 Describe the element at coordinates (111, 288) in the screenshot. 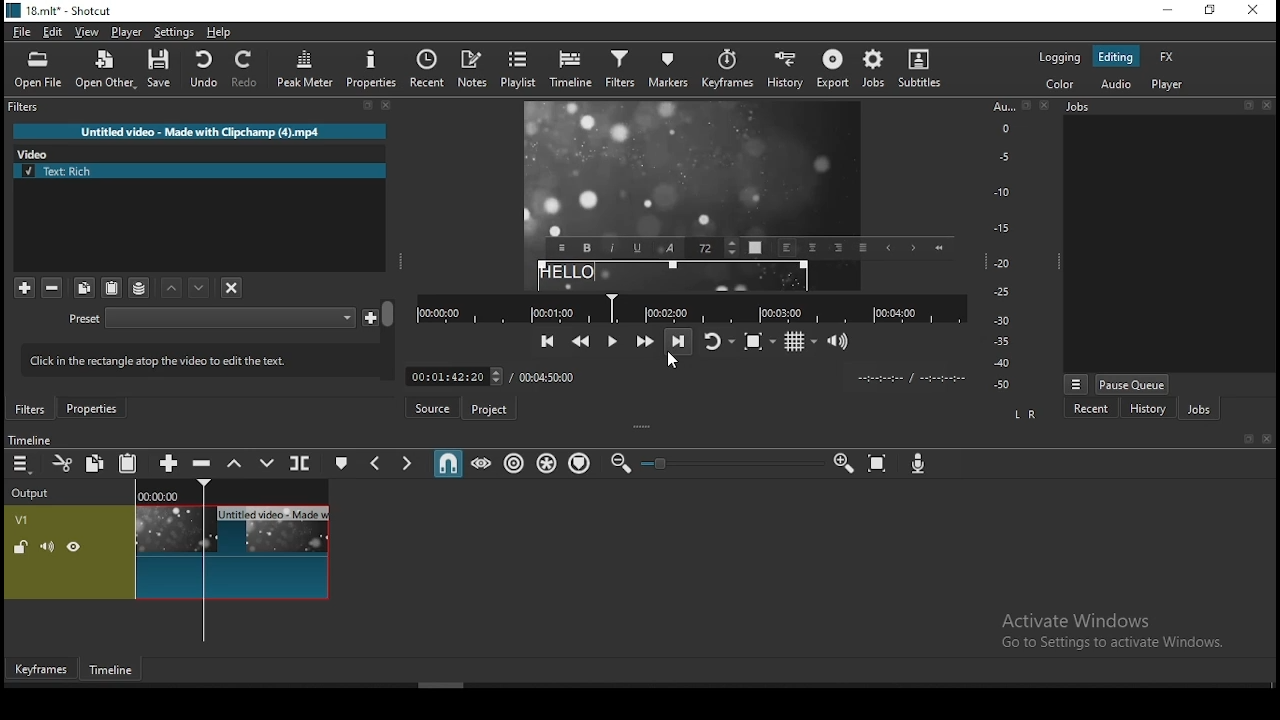

I see `paste` at that location.